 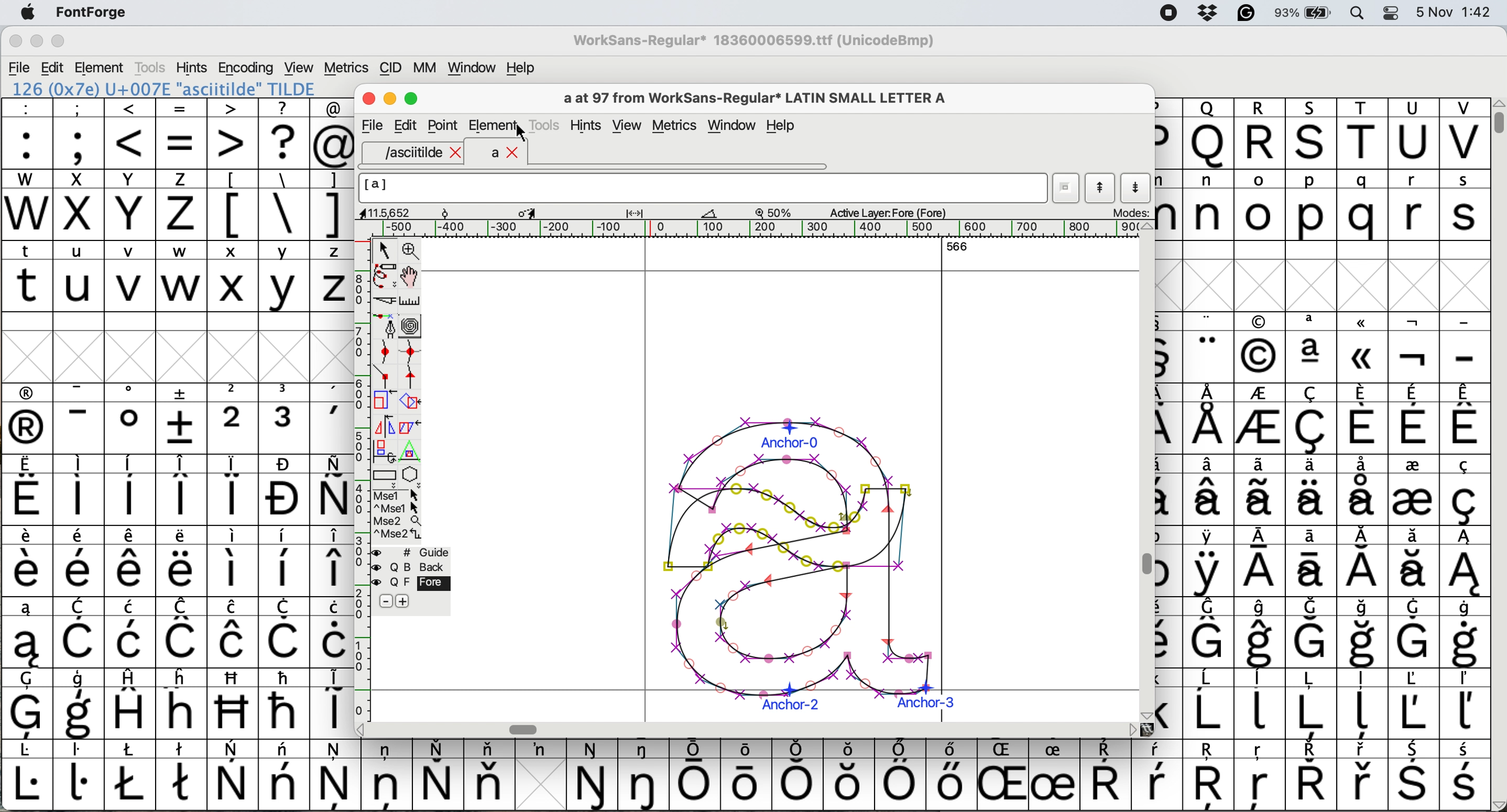 I want to click on scroll button, so click(x=1497, y=804).